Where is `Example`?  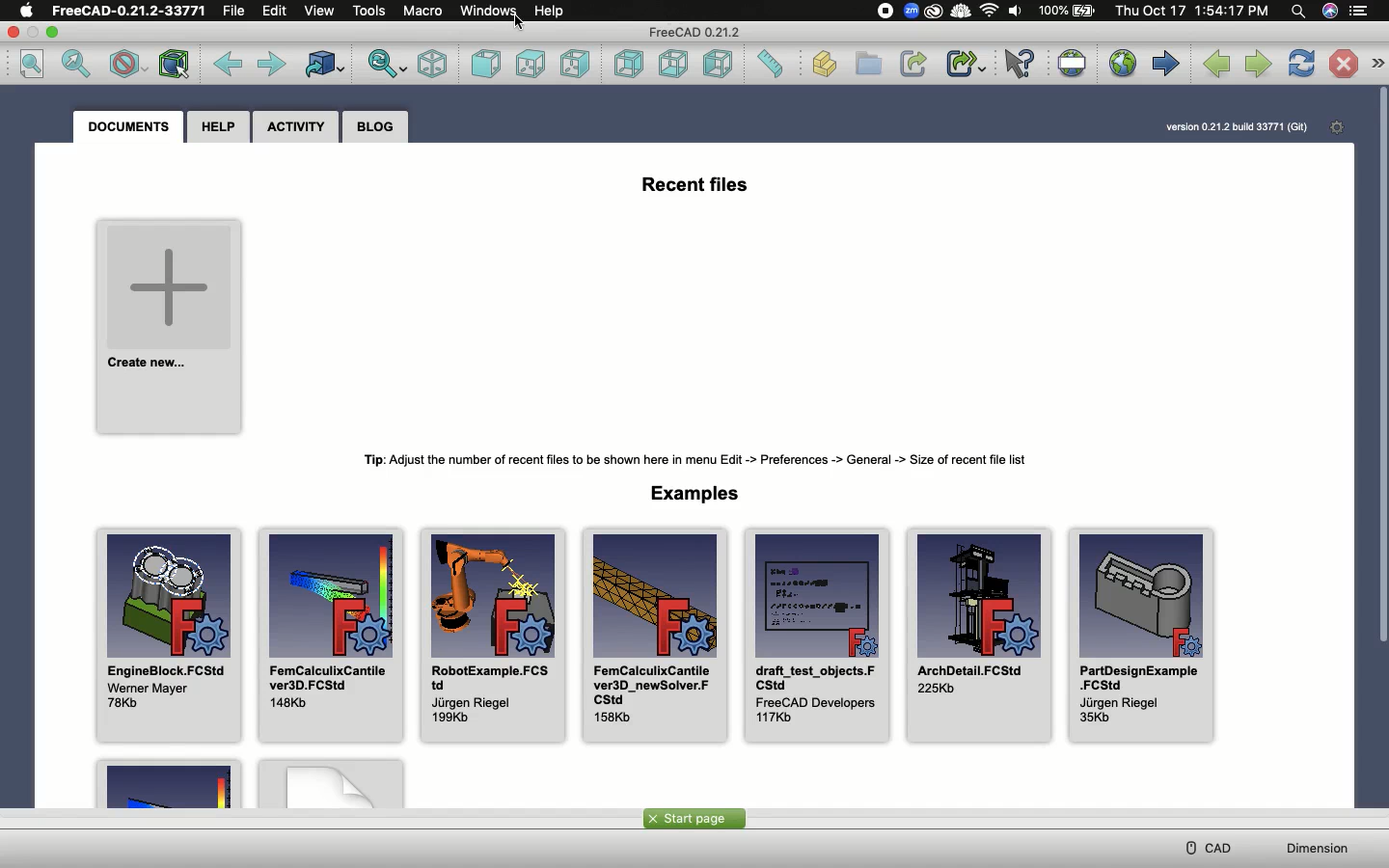 Example is located at coordinates (158, 783).